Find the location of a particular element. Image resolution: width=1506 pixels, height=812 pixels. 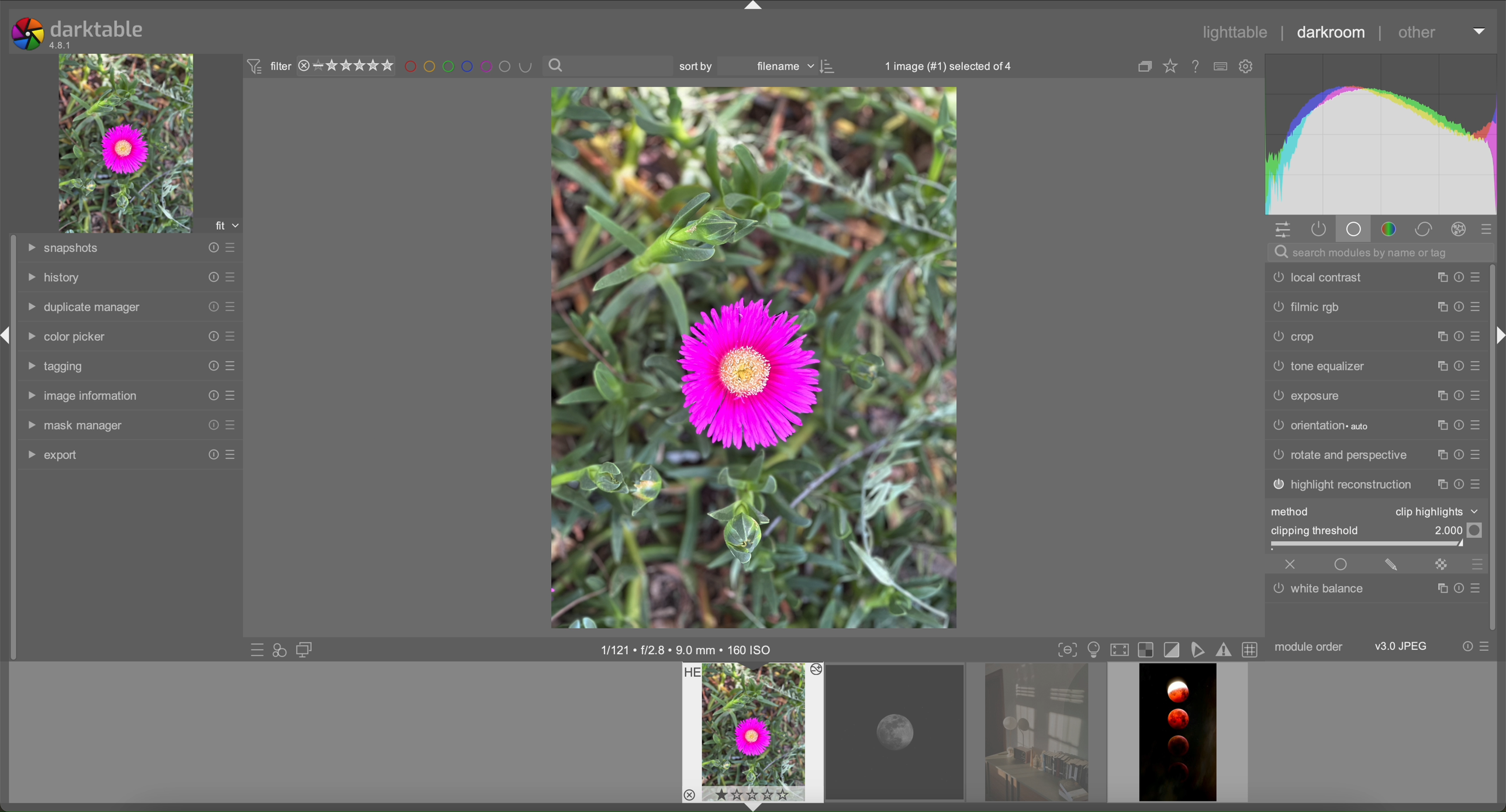

mask manager tab is located at coordinates (75, 426).